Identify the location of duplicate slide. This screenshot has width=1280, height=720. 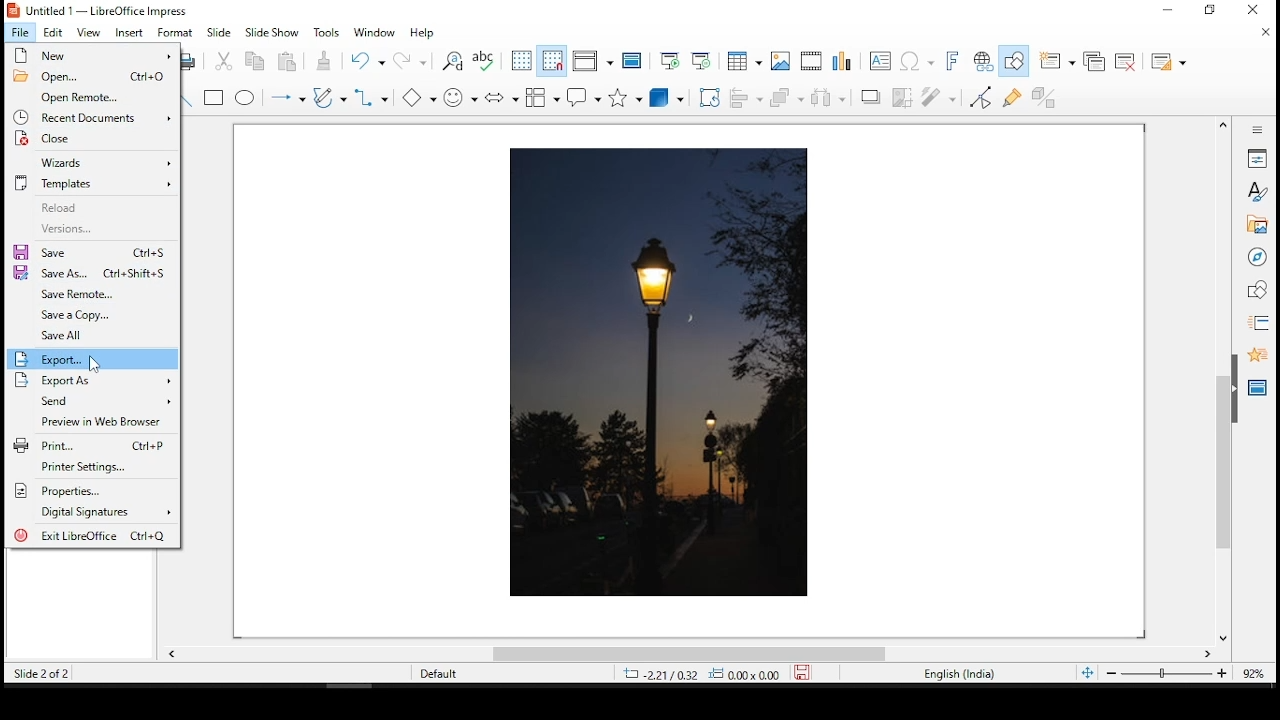
(1096, 63).